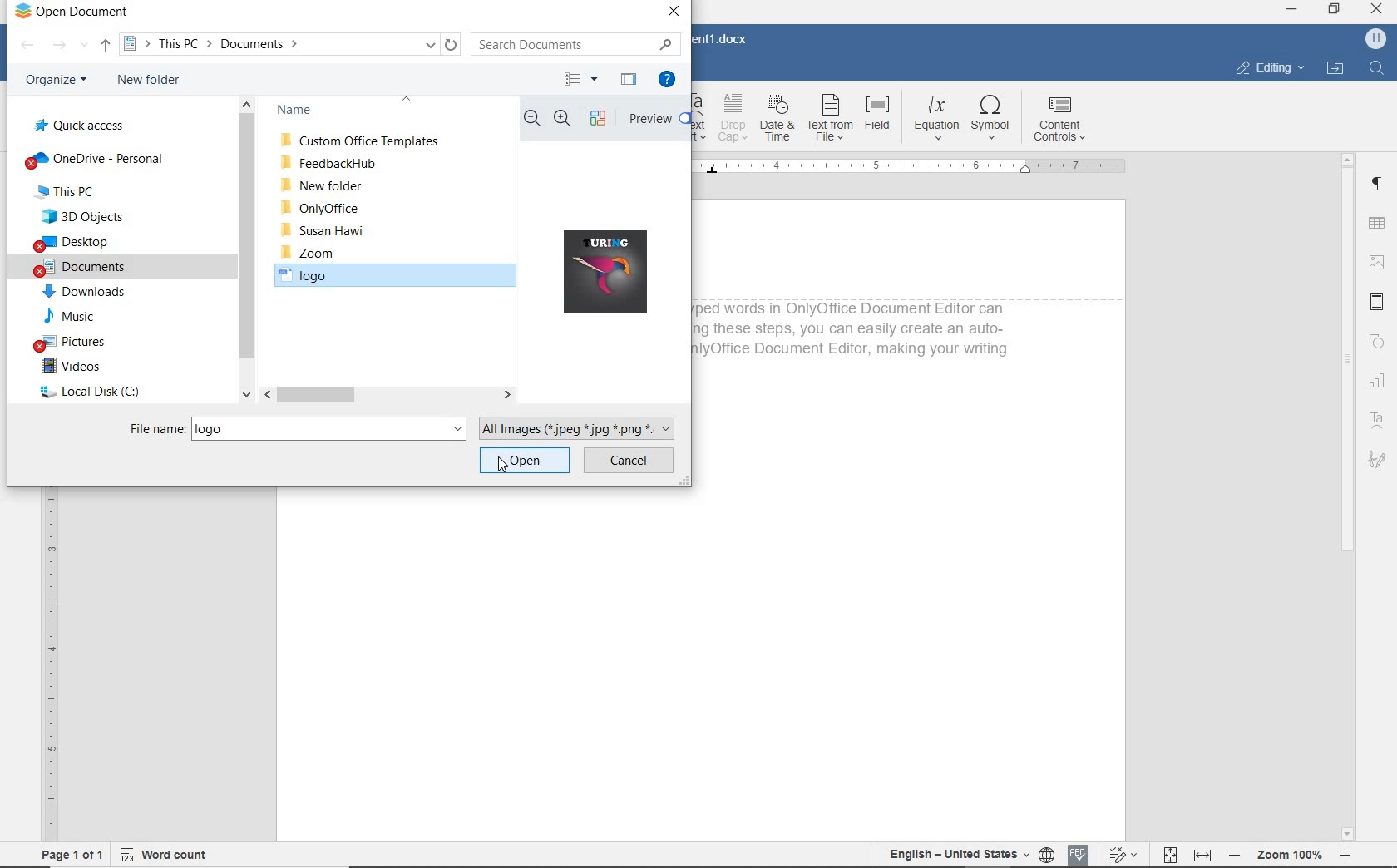 This screenshot has width=1397, height=868. What do you see at coordinates (565, 119) in the screenshot?
I see `ZOOM IN` at bounding box center [565, 119].